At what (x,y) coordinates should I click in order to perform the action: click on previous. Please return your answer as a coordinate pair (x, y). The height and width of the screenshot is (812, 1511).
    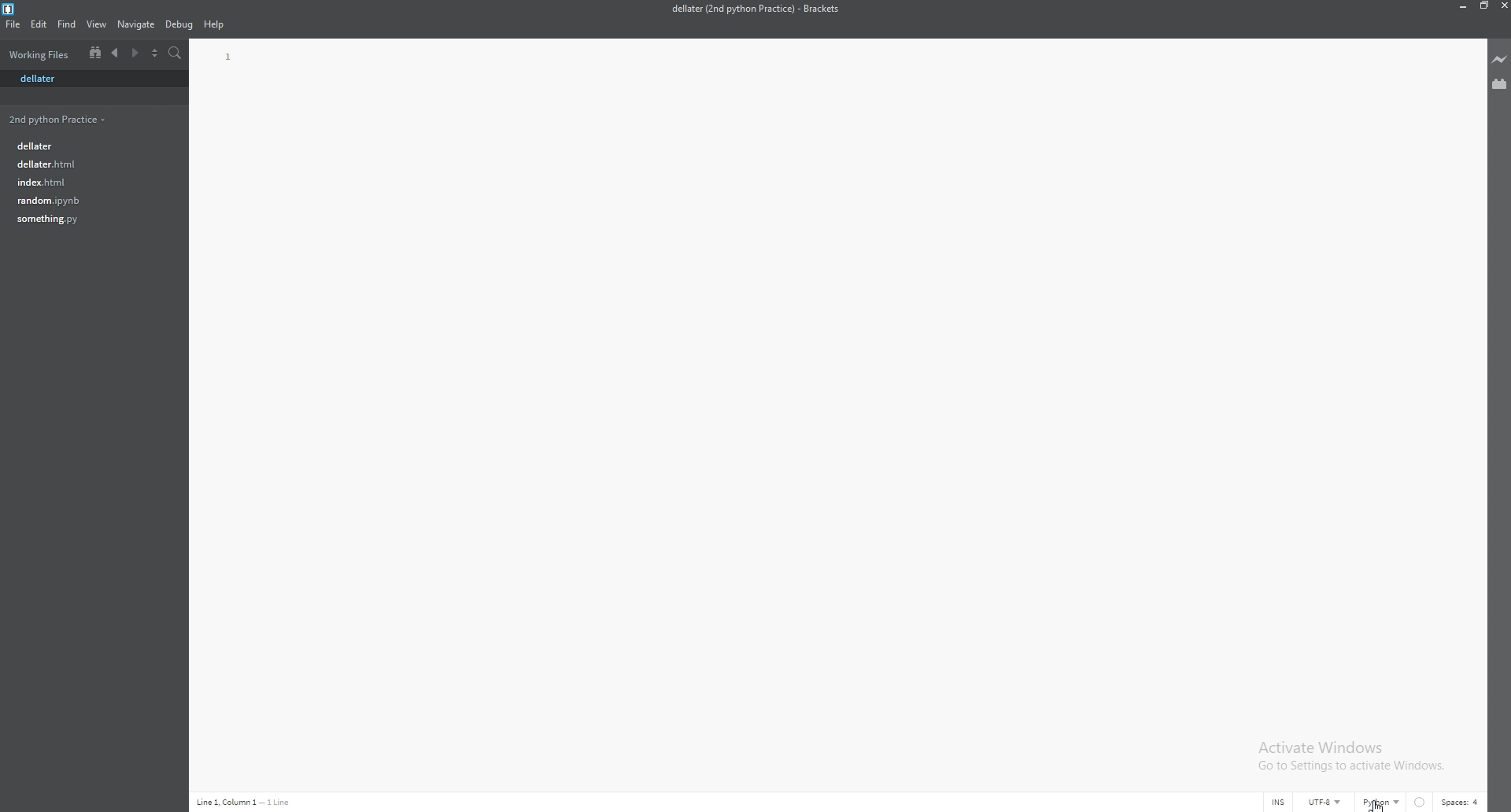
    Looking at the image, I should click on (116, 54).